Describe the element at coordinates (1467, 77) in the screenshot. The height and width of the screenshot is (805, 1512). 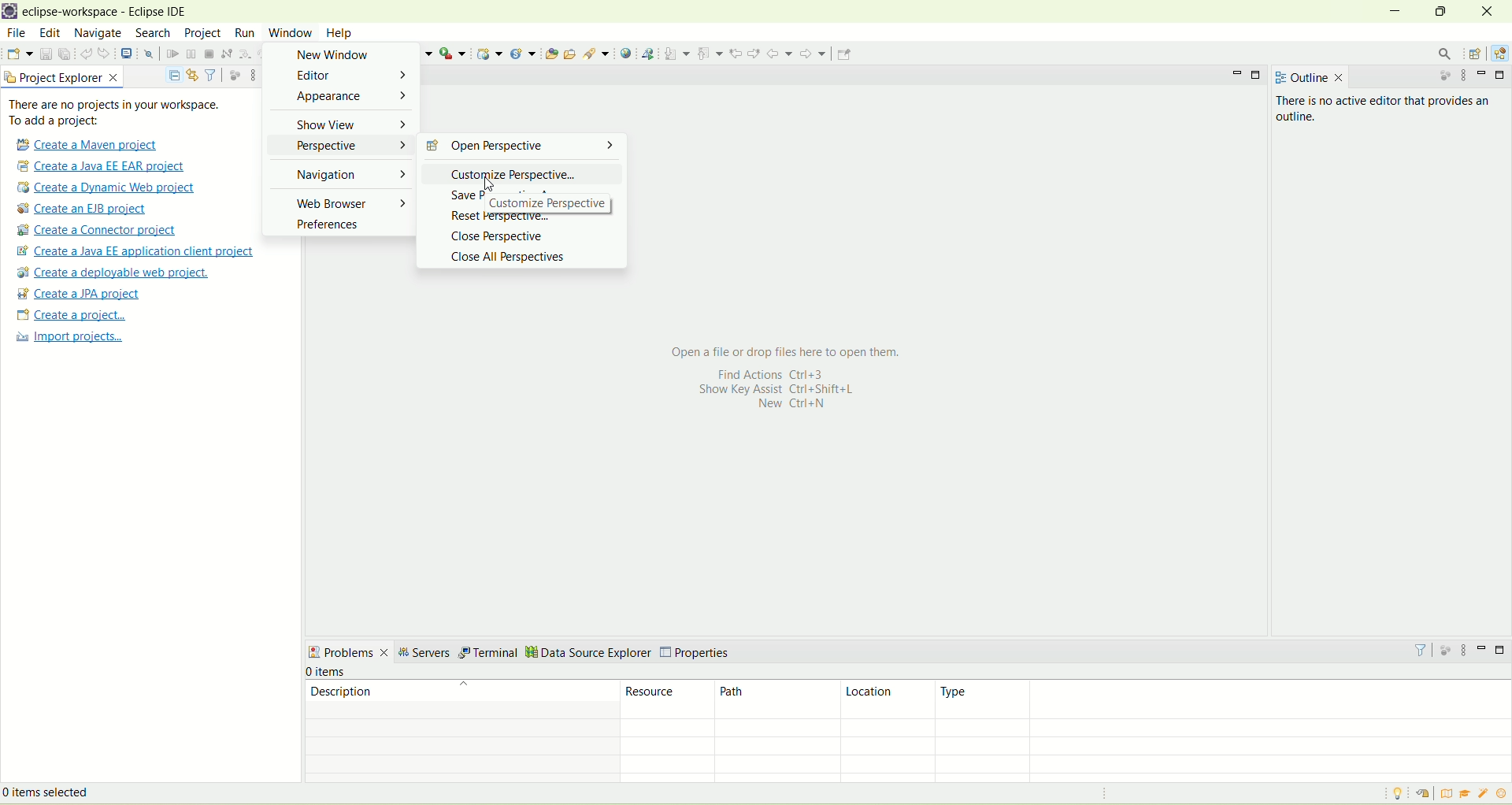
I see `view menu` at that location.